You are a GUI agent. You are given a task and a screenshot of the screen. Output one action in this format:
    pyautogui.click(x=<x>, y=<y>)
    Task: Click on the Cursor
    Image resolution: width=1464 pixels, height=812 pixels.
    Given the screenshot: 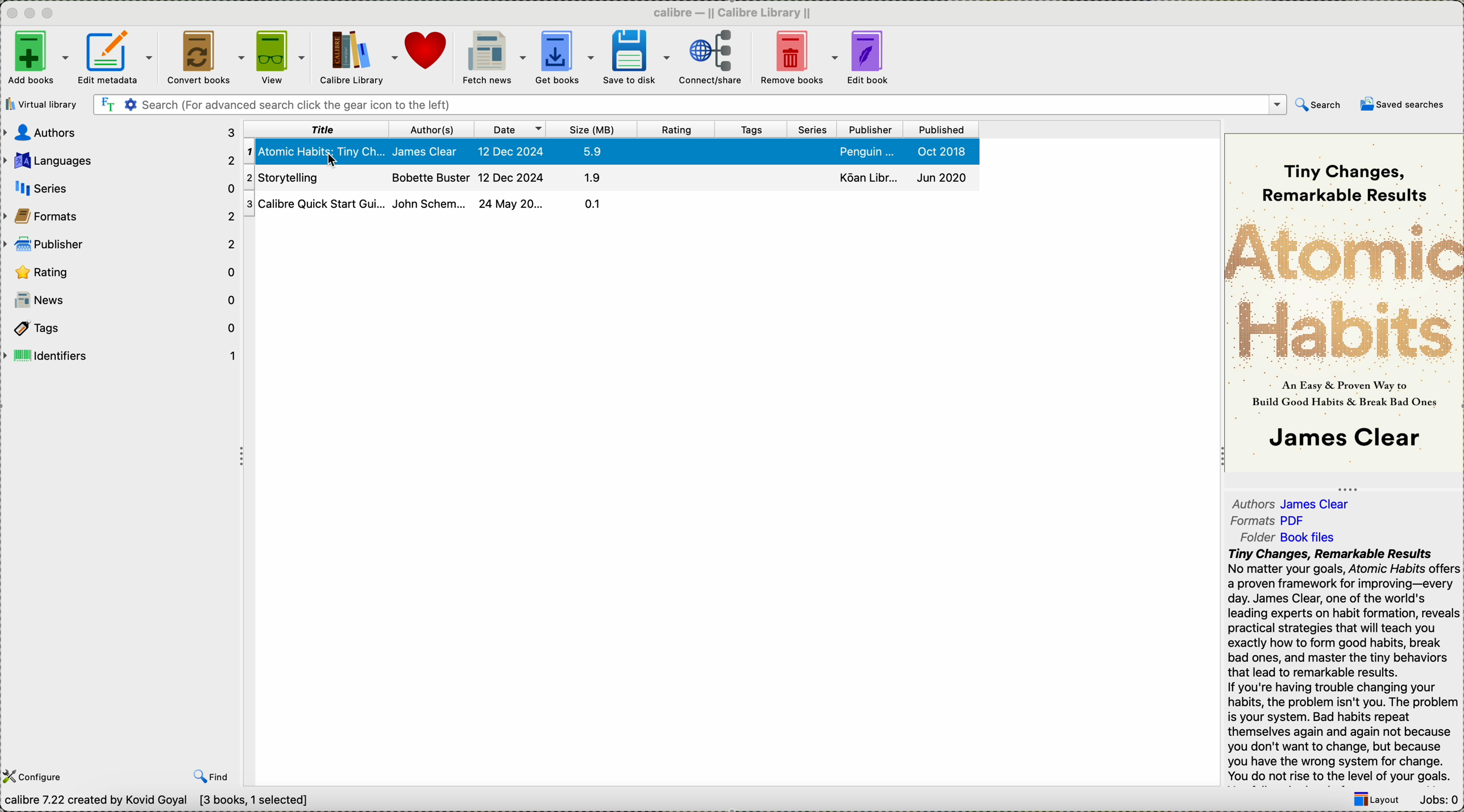 What is the action you would take?
    pyautogui.click(x=331, y=158)
    